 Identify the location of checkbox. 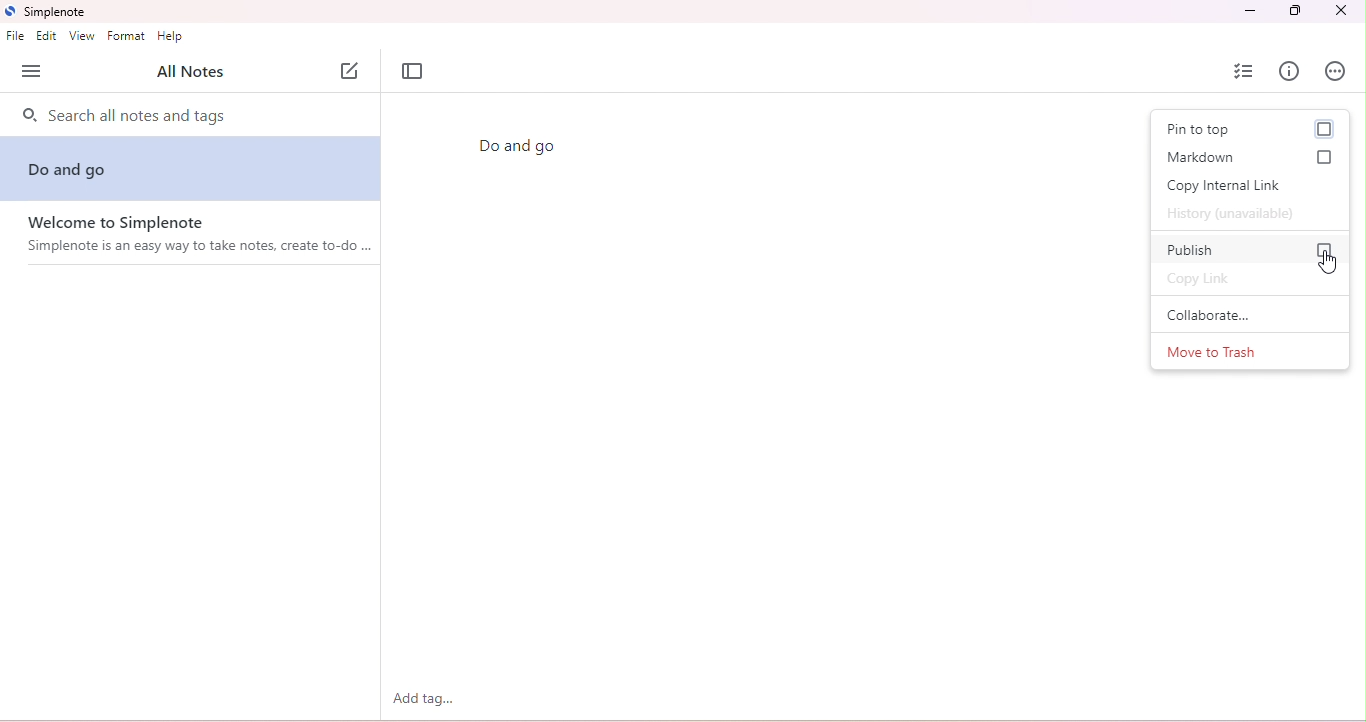
(1324, 128).